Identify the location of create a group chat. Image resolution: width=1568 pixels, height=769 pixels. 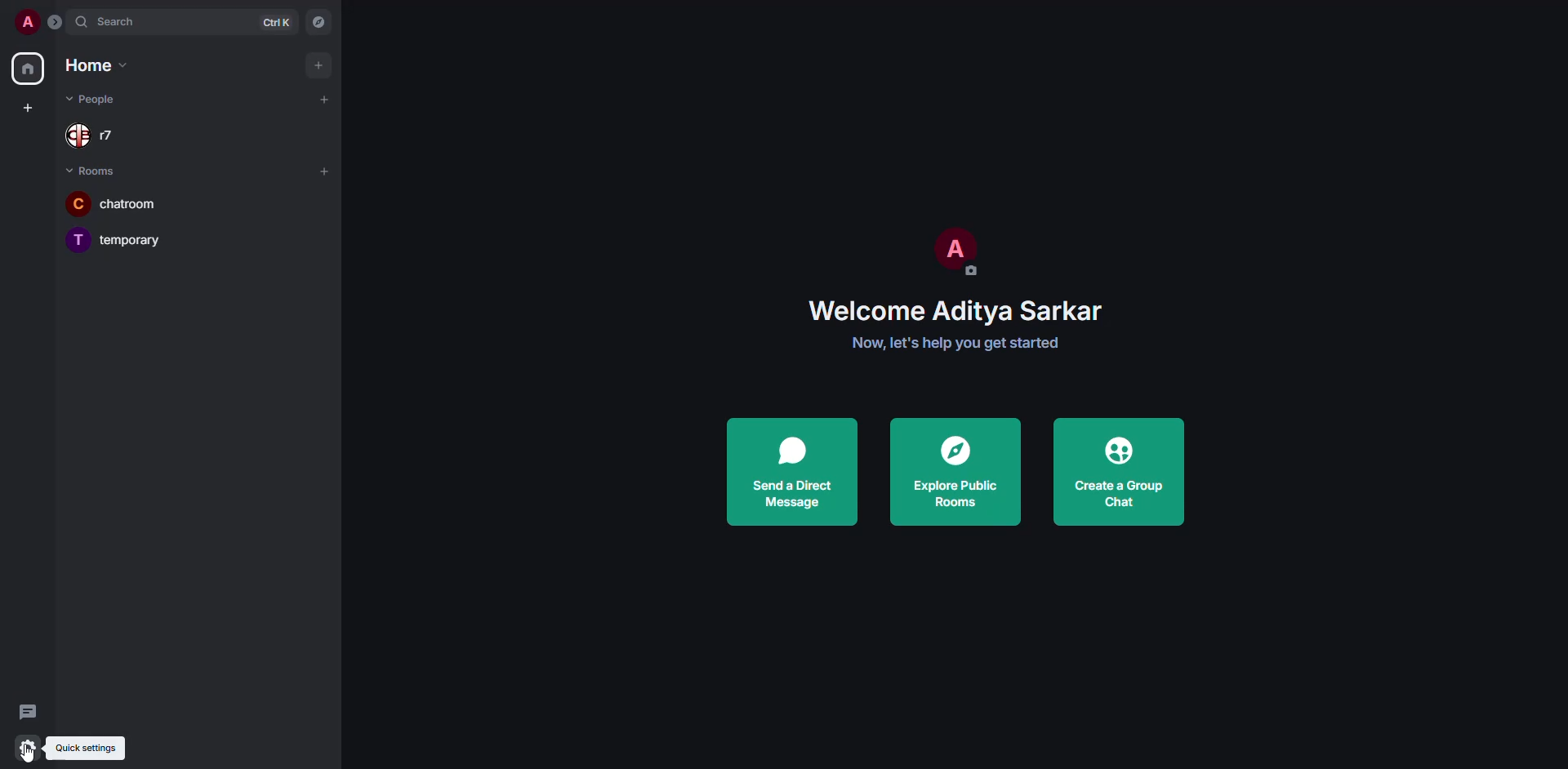
(1122, 473).